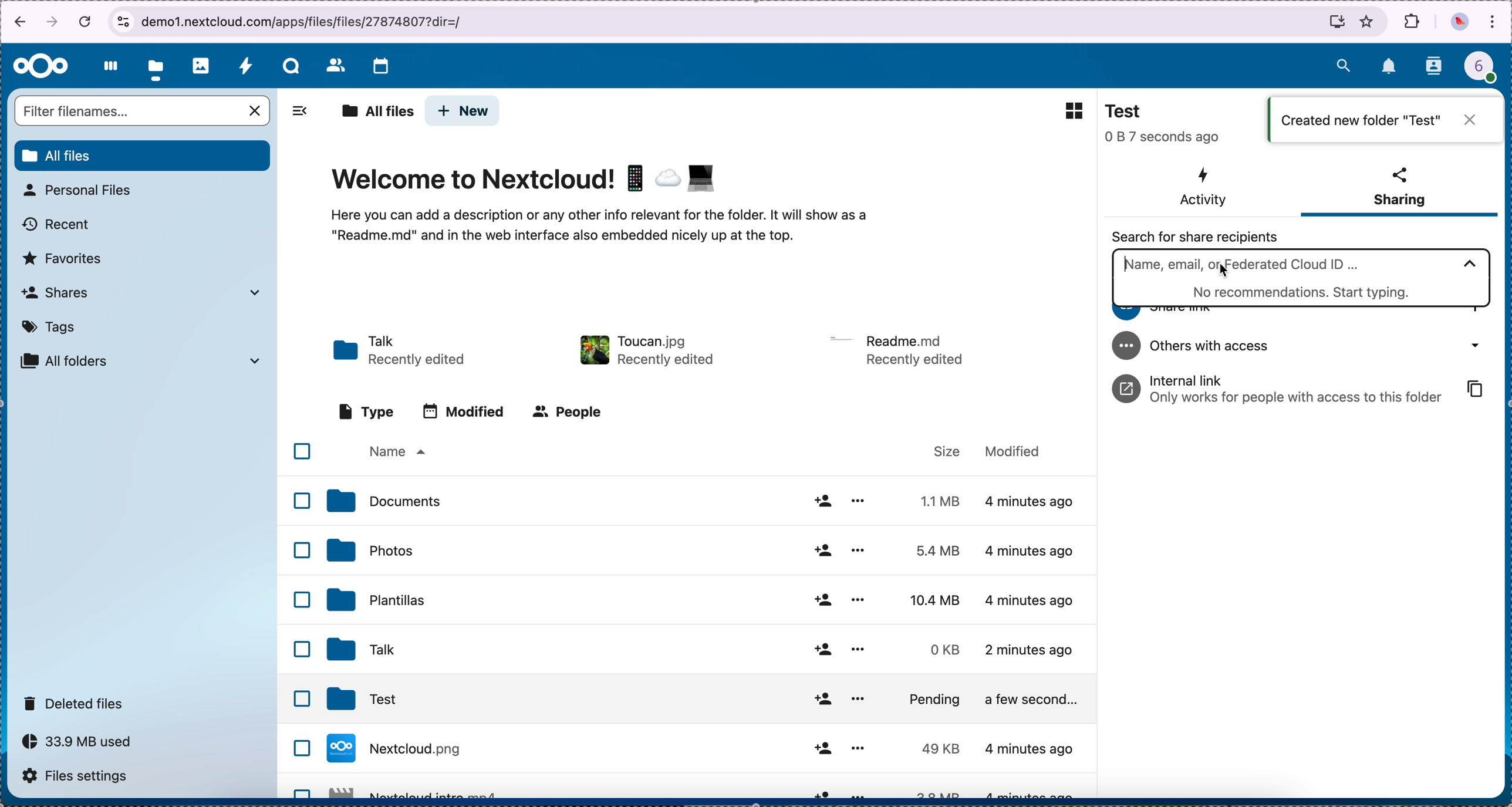 The height and width of the screenshot is (807, 1512). I want to click on extensions, so click(1413, 21).